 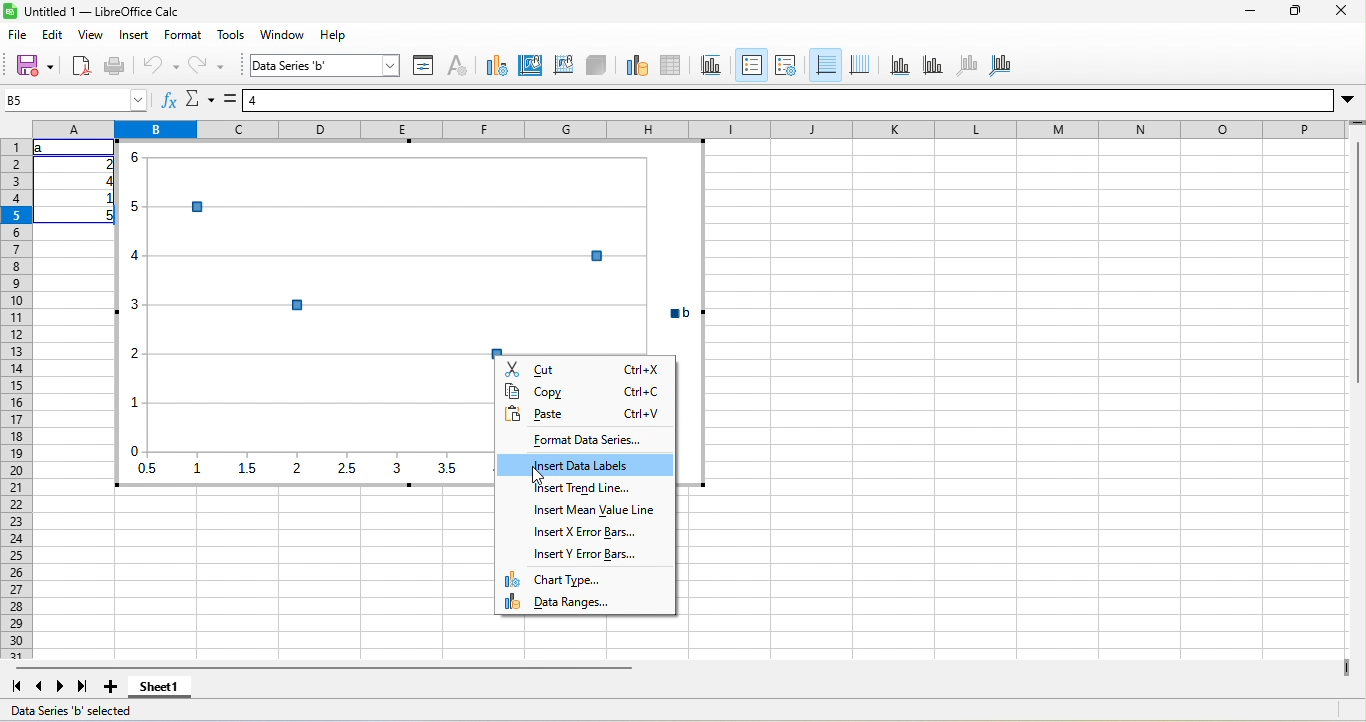 I want to click on Data Series 'b' selected, so click(x=71, y=710).